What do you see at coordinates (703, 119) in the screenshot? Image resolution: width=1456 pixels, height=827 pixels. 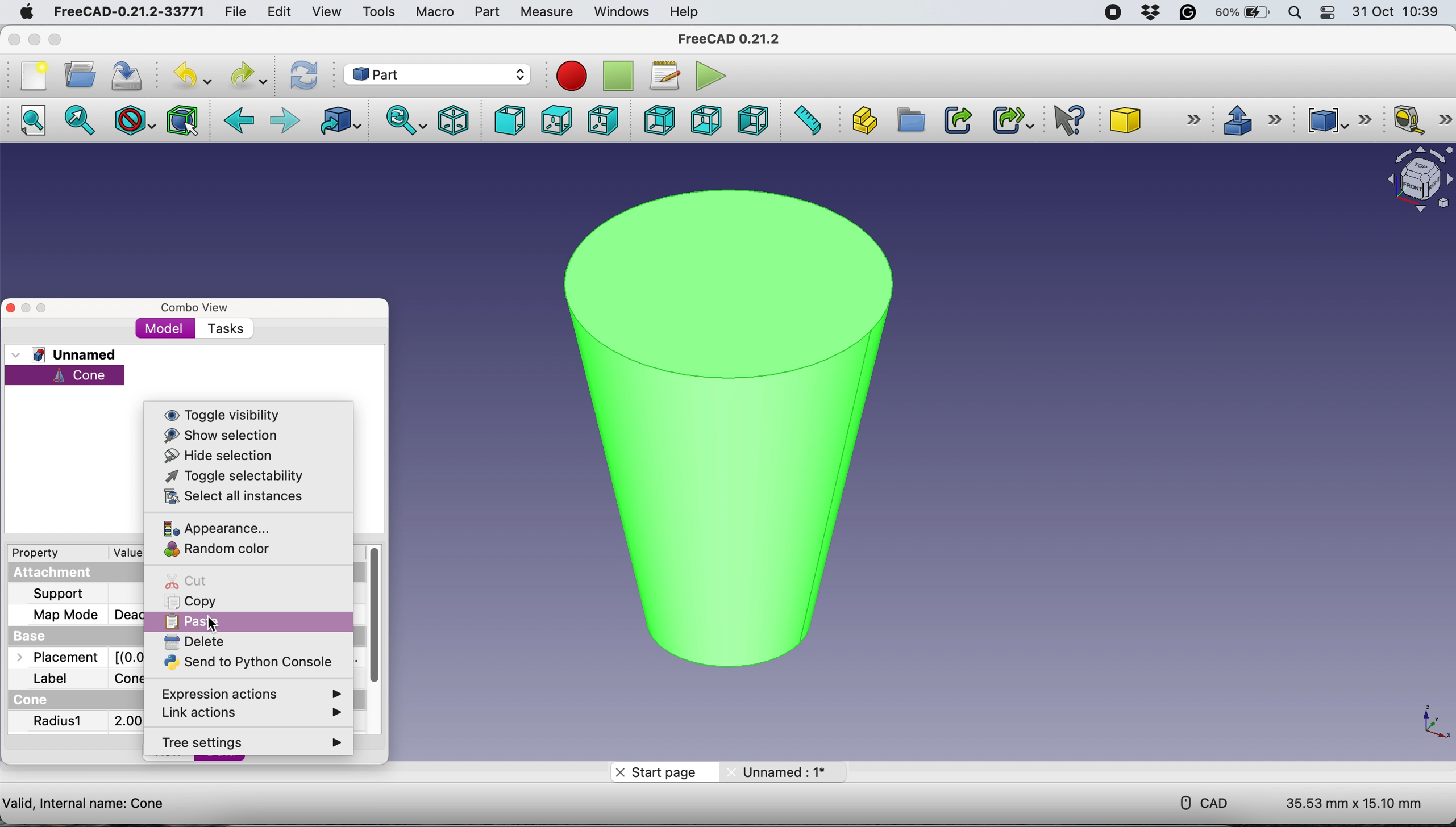 I see `bottom` at bounding box center [703, 119].